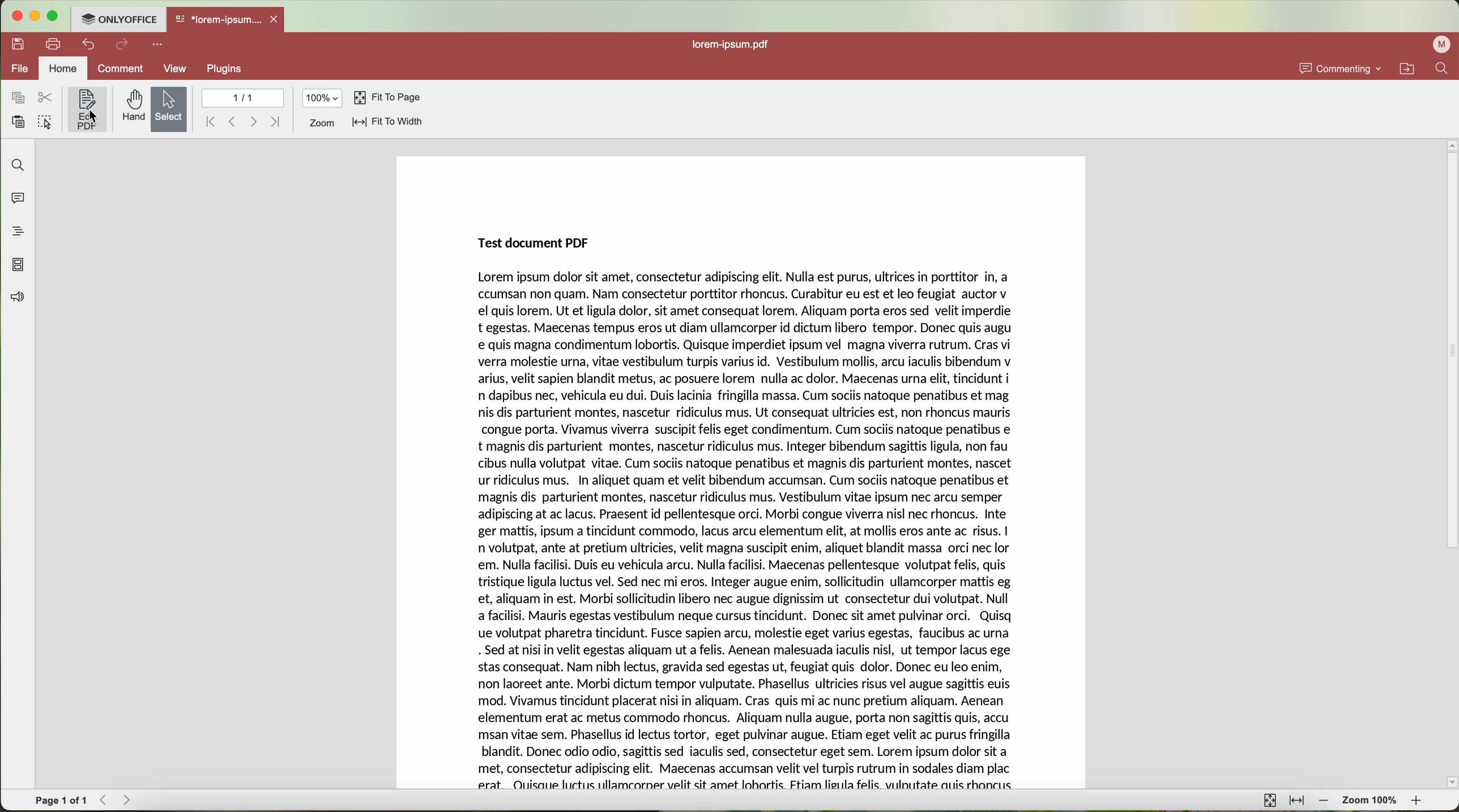 Image resolution: width=1459 pixels, height=812 pixels. I want to click on Backward, so click(107, 800).